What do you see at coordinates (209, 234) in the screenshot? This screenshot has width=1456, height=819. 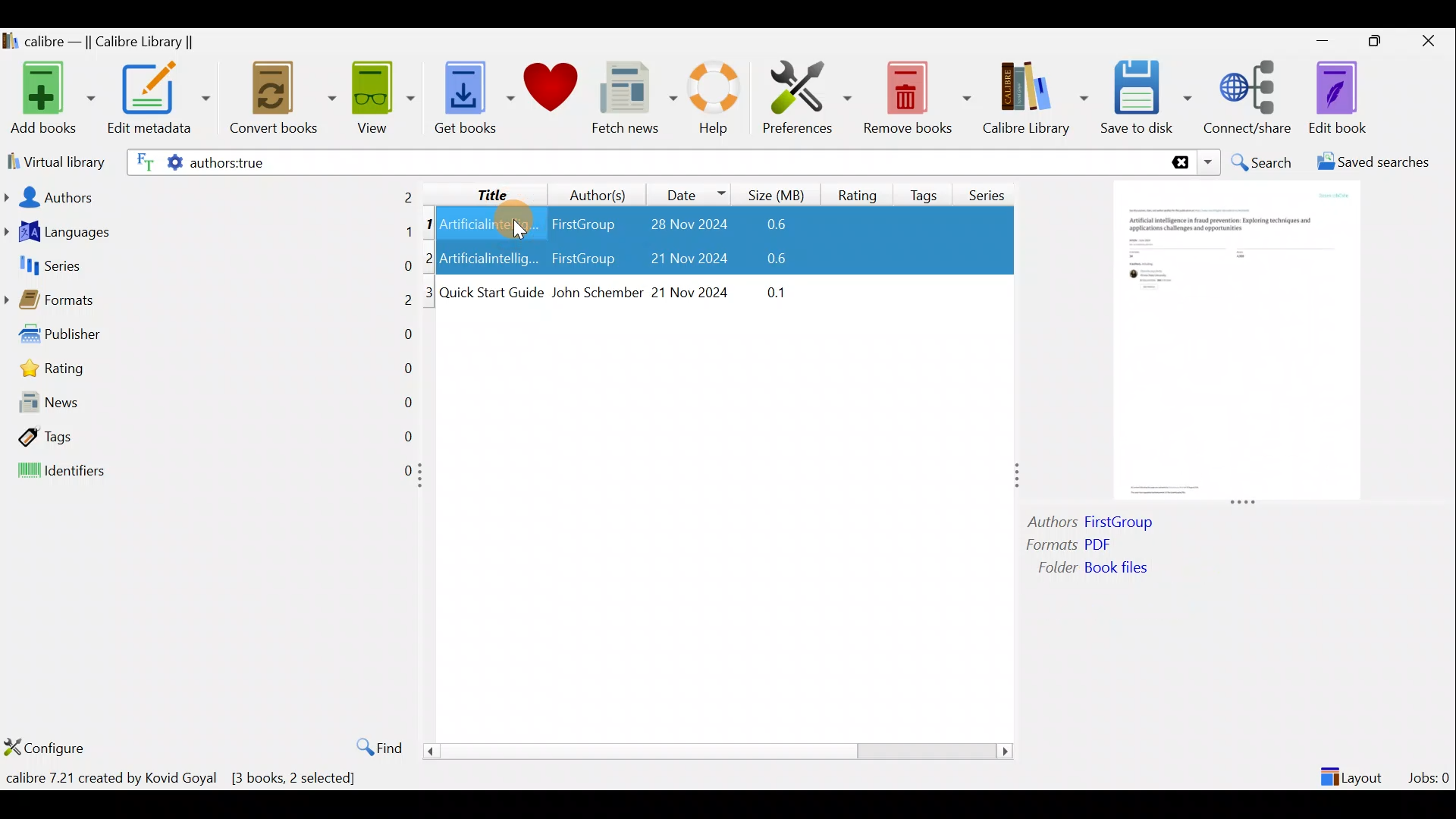 I see `Languages` at bounding box center [209, 234].